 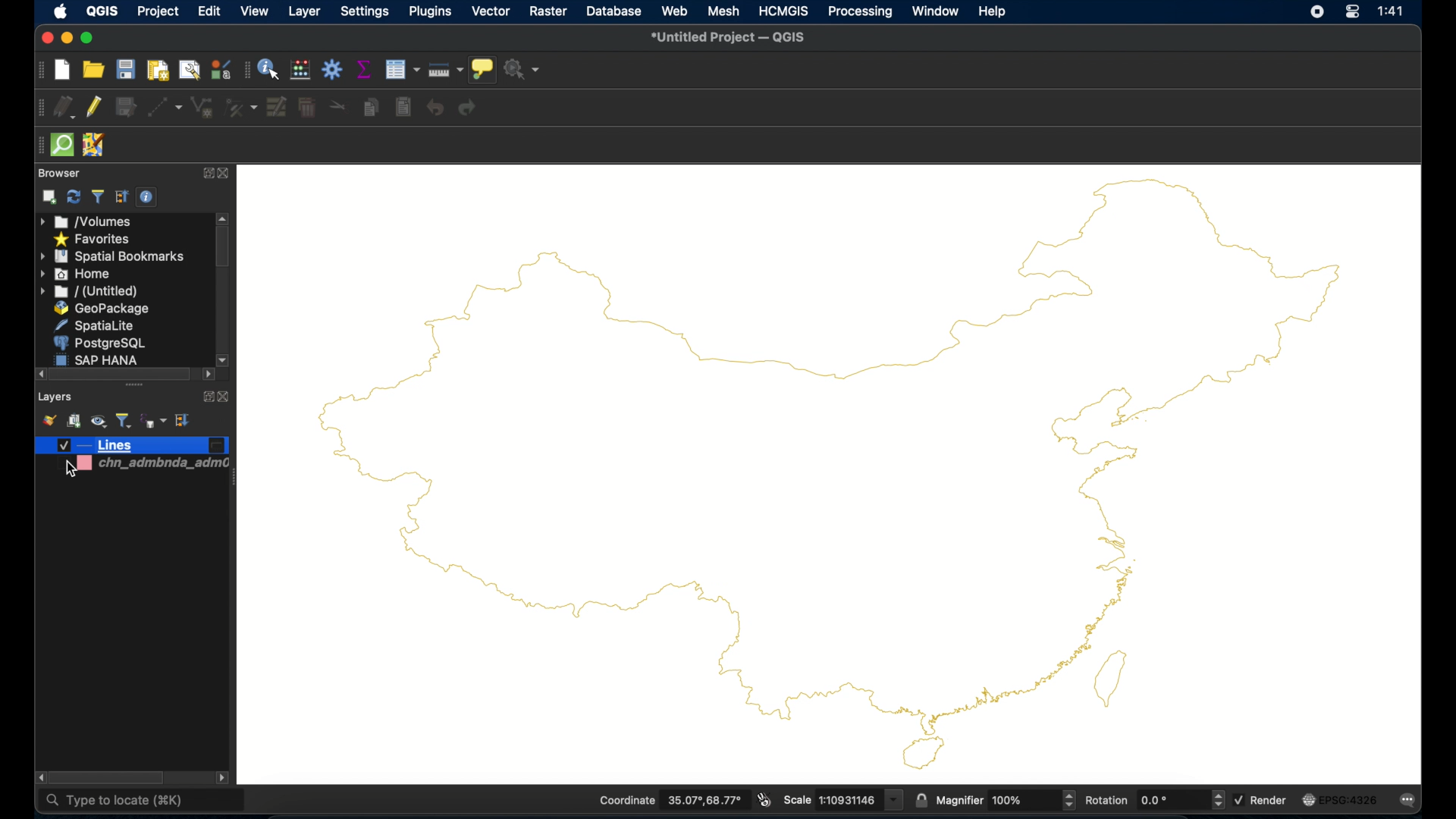 What do you see at coordinates (362, 68) in the screenshot?
I see `show statistical summary` at bounding box center [362, 68].